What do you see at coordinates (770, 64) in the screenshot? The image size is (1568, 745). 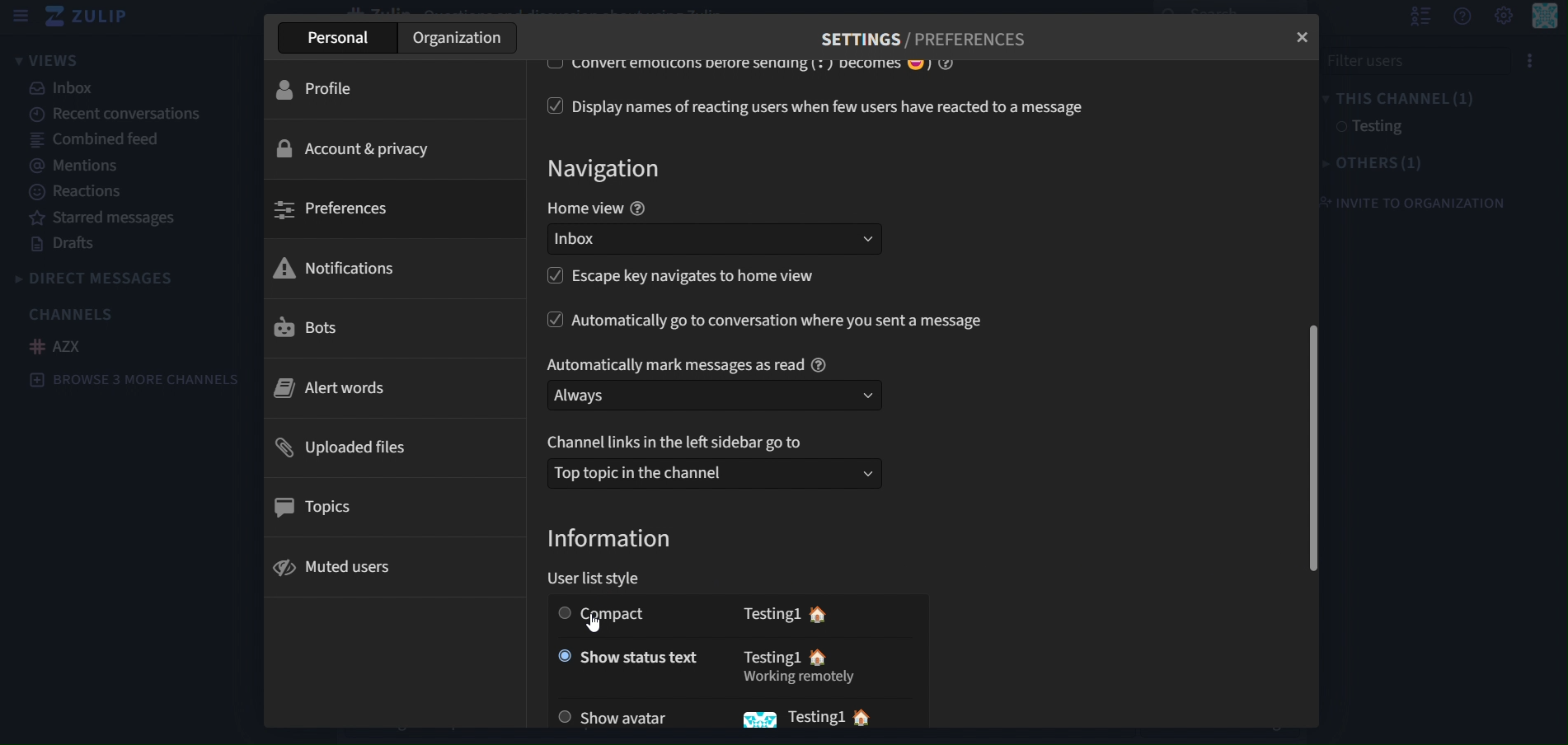 I see `convert emoticons before sencing ` at bounding box center [770, 64].